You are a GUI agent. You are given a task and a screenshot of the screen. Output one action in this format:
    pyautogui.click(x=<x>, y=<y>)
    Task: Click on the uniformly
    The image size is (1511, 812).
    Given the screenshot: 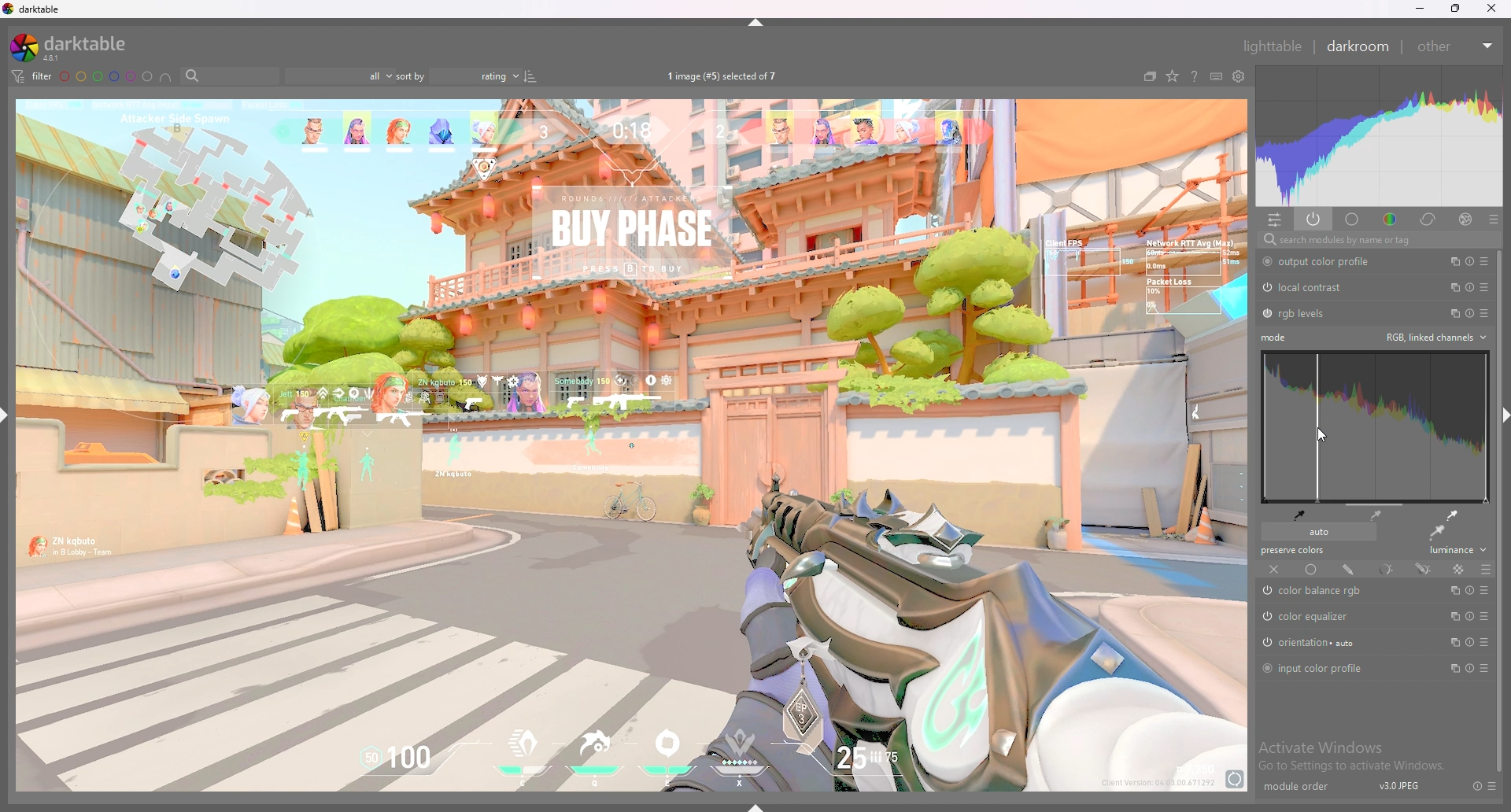 What is the action you would take?
    pyautogui.click(x=1311, y=570)
    